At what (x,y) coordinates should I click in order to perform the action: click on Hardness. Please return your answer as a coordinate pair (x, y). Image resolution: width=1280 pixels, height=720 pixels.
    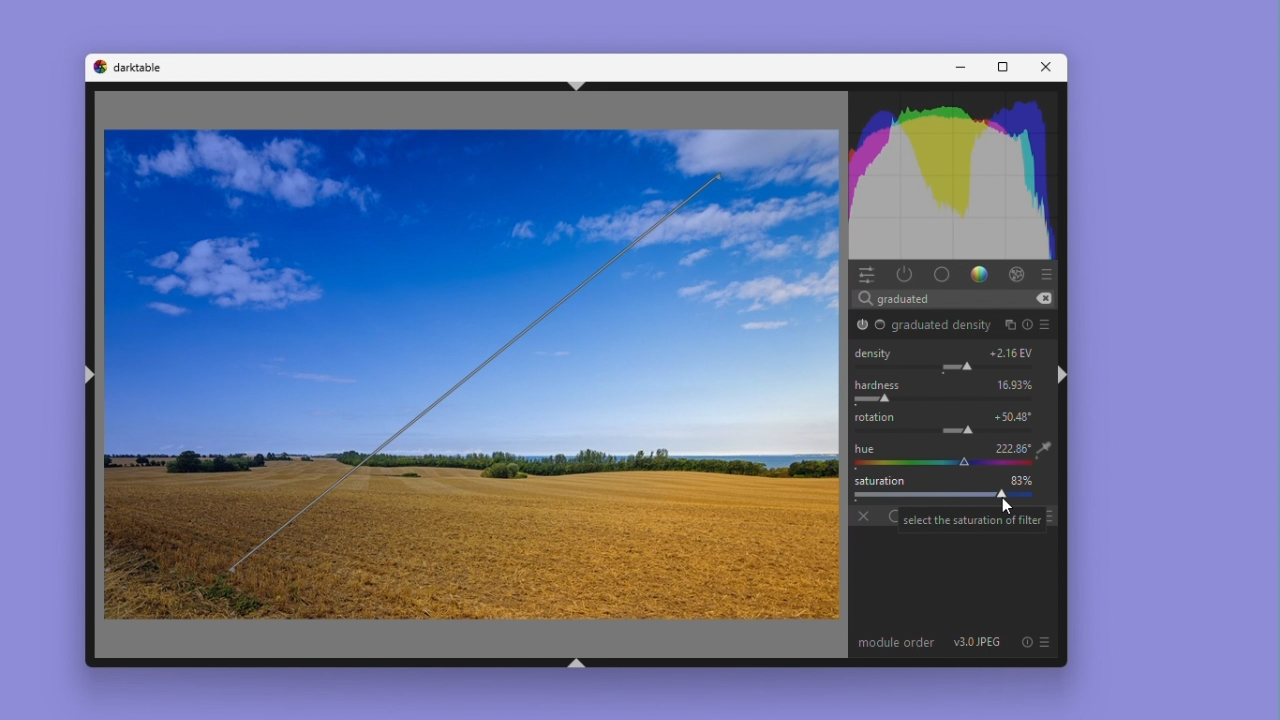
    Looking at the image, I should click on (876, 383).